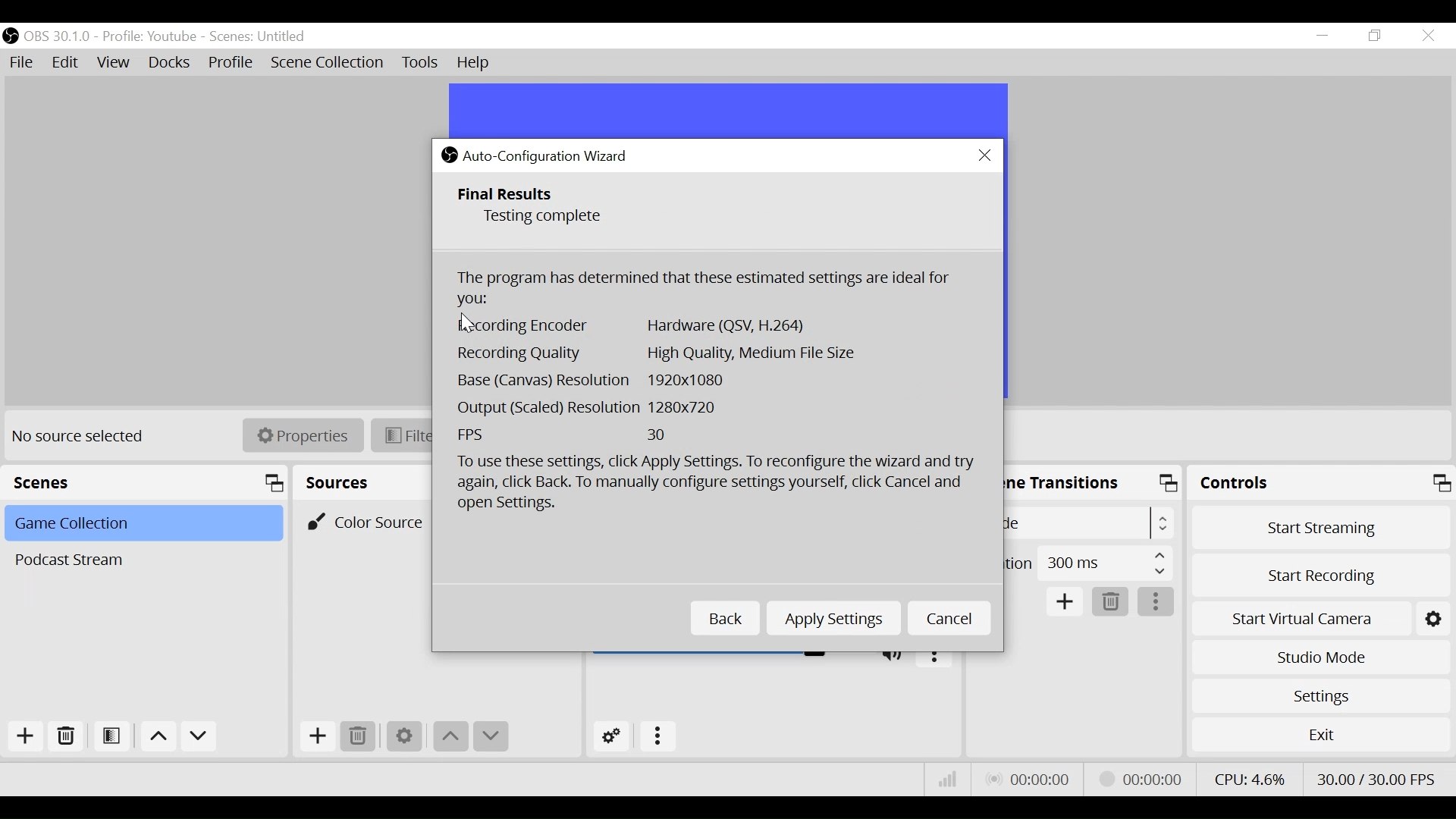  I want to click on Profile, so click(231, 62).